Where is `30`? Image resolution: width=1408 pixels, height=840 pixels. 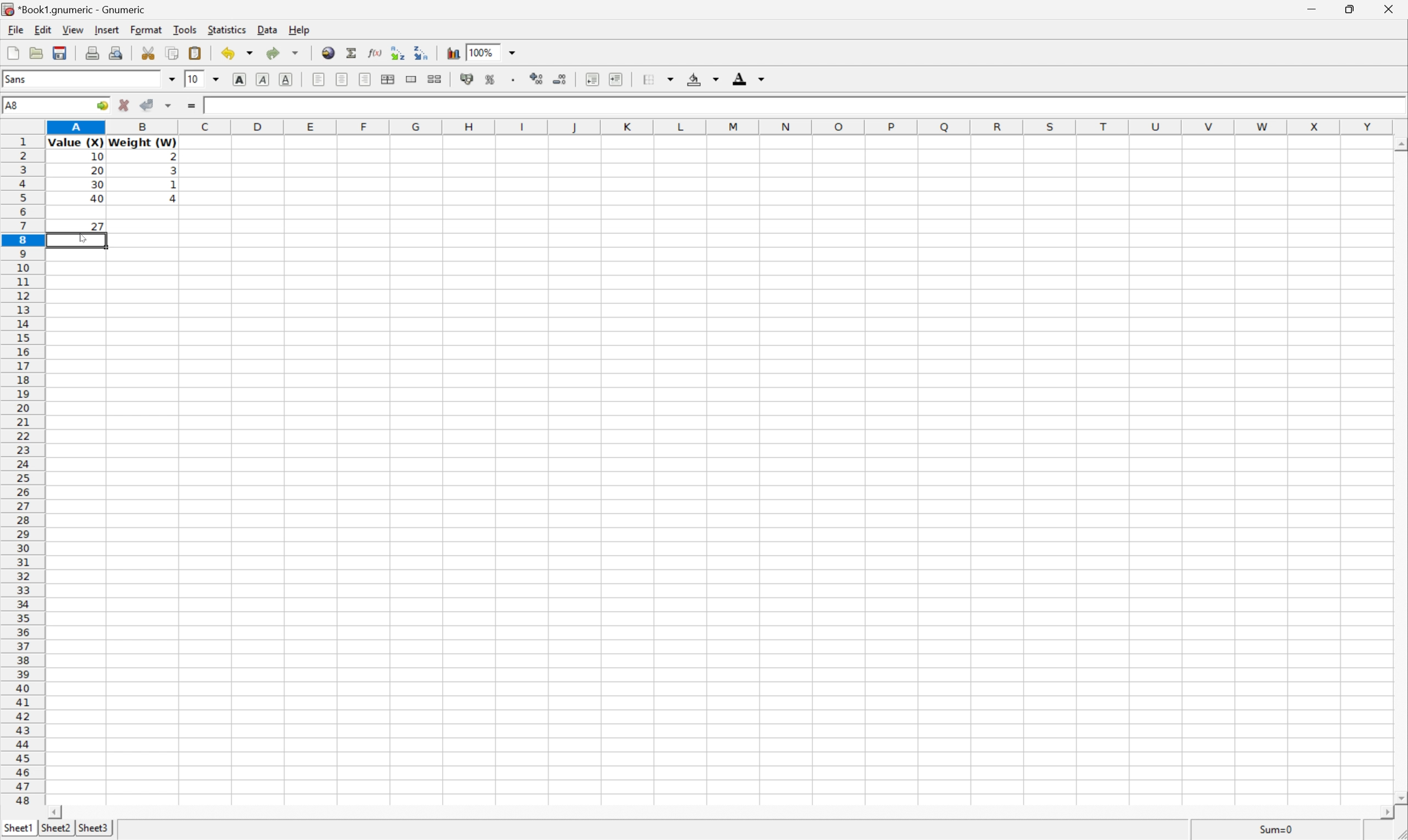 30 is located at coordinates (98, 185).